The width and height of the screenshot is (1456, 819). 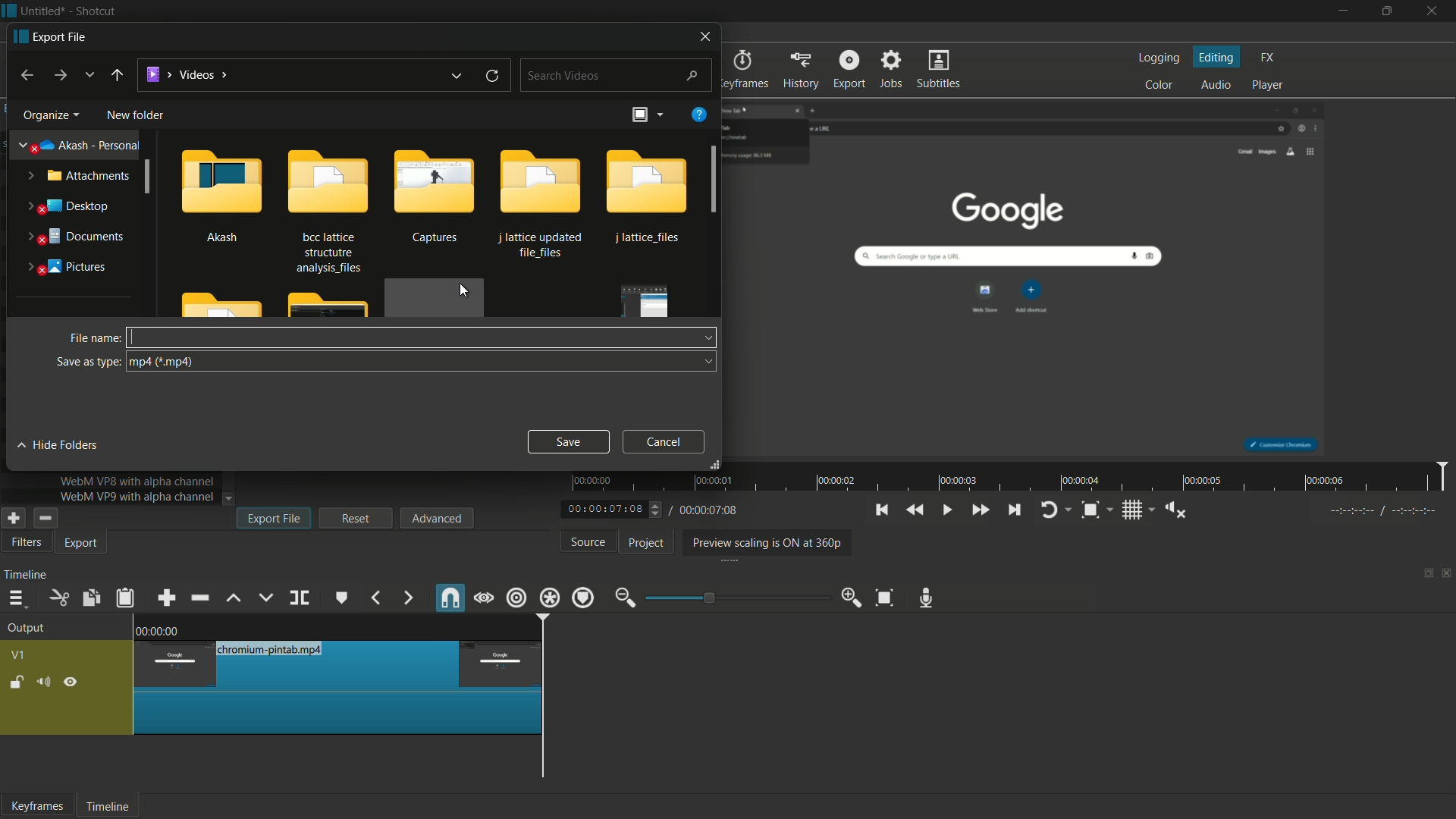 What do you see at coordinates (186, 74) in the screenshot?
I see `current location` at bounding box center [186, 74].